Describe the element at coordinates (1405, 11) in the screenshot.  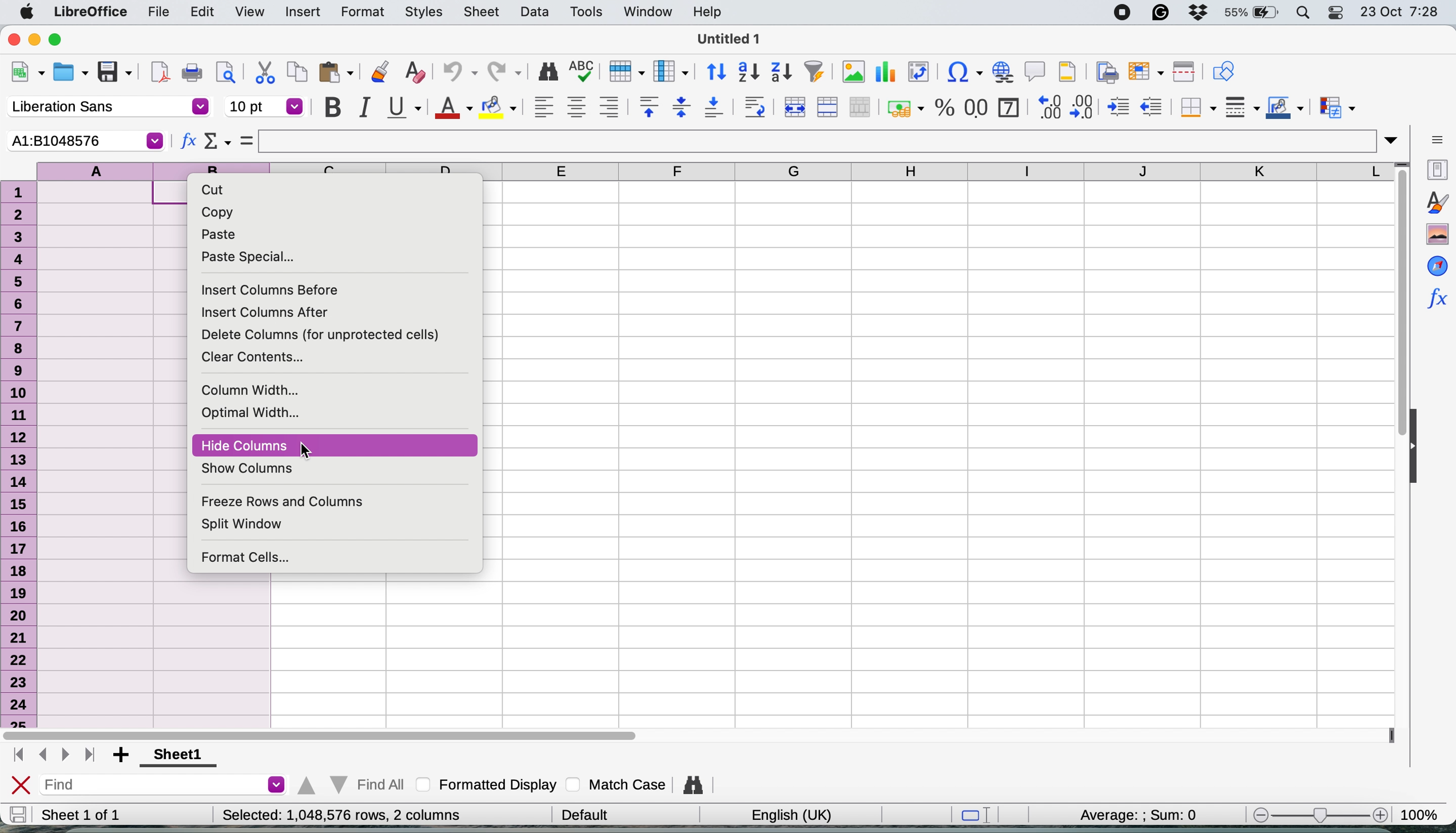
I see `date and time` at that location.